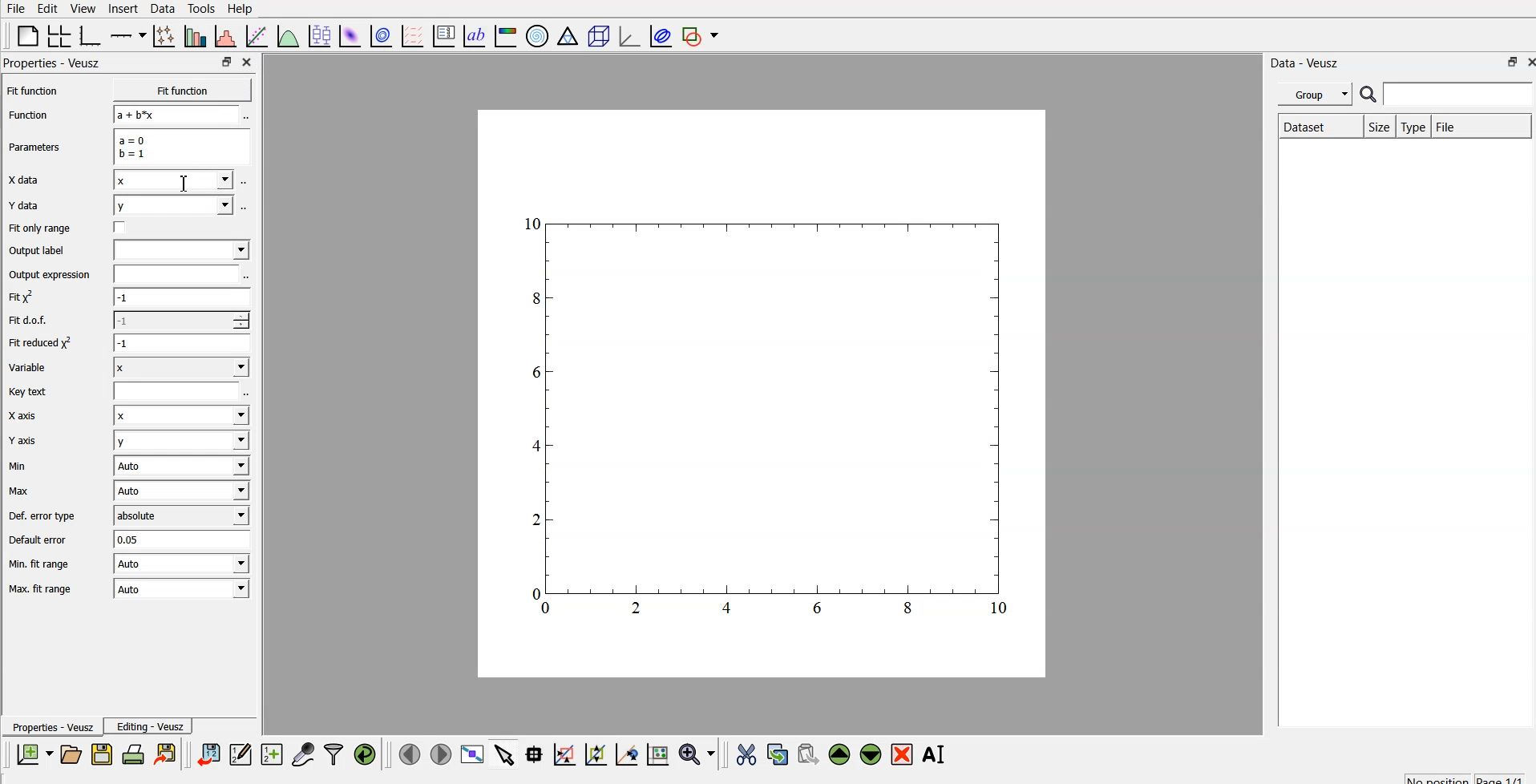 Image resolution: width=1536 pixels, height=784 pixels. What do you see at coordinates (446, 36) in the screenshot?
I see `plot key` at bounding box center [446, 36].